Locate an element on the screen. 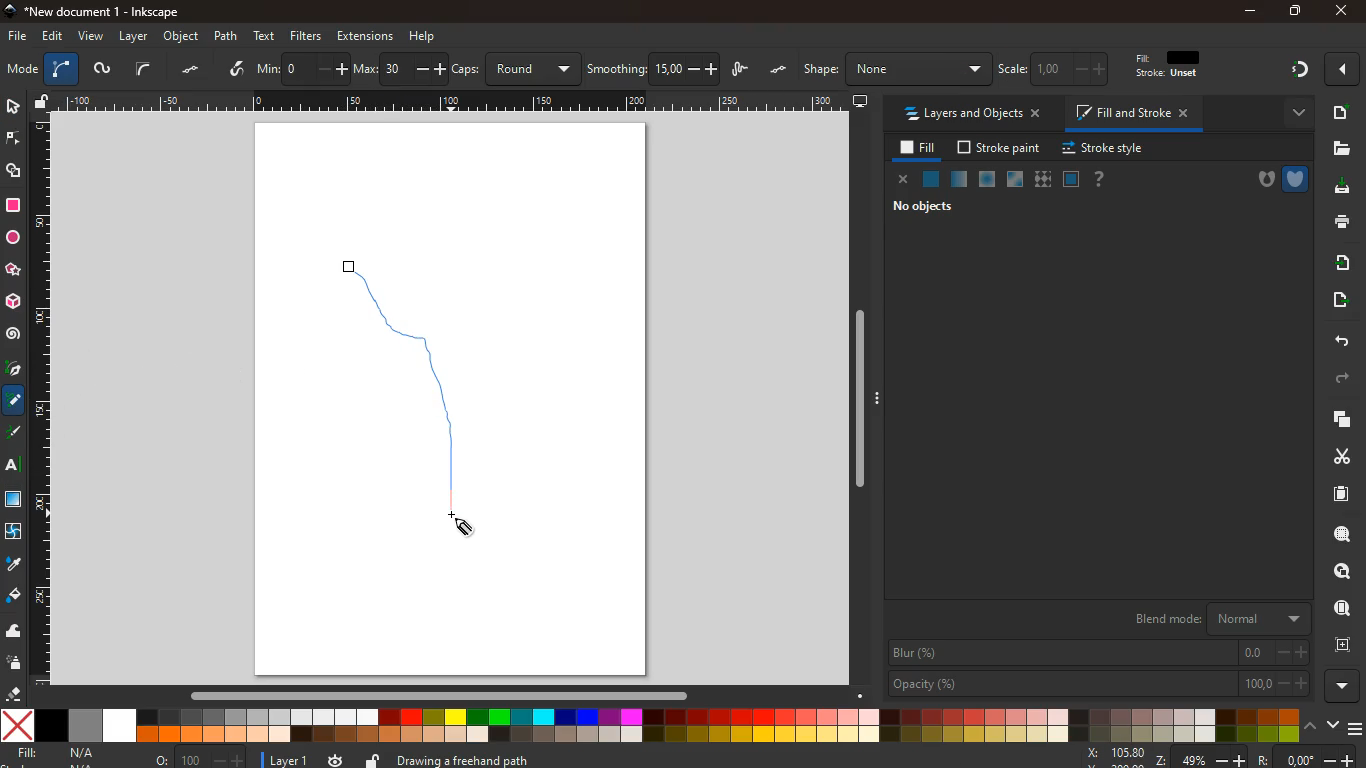 This screenshot has width=1366, height=768. path is located at coordinates (228, 35).